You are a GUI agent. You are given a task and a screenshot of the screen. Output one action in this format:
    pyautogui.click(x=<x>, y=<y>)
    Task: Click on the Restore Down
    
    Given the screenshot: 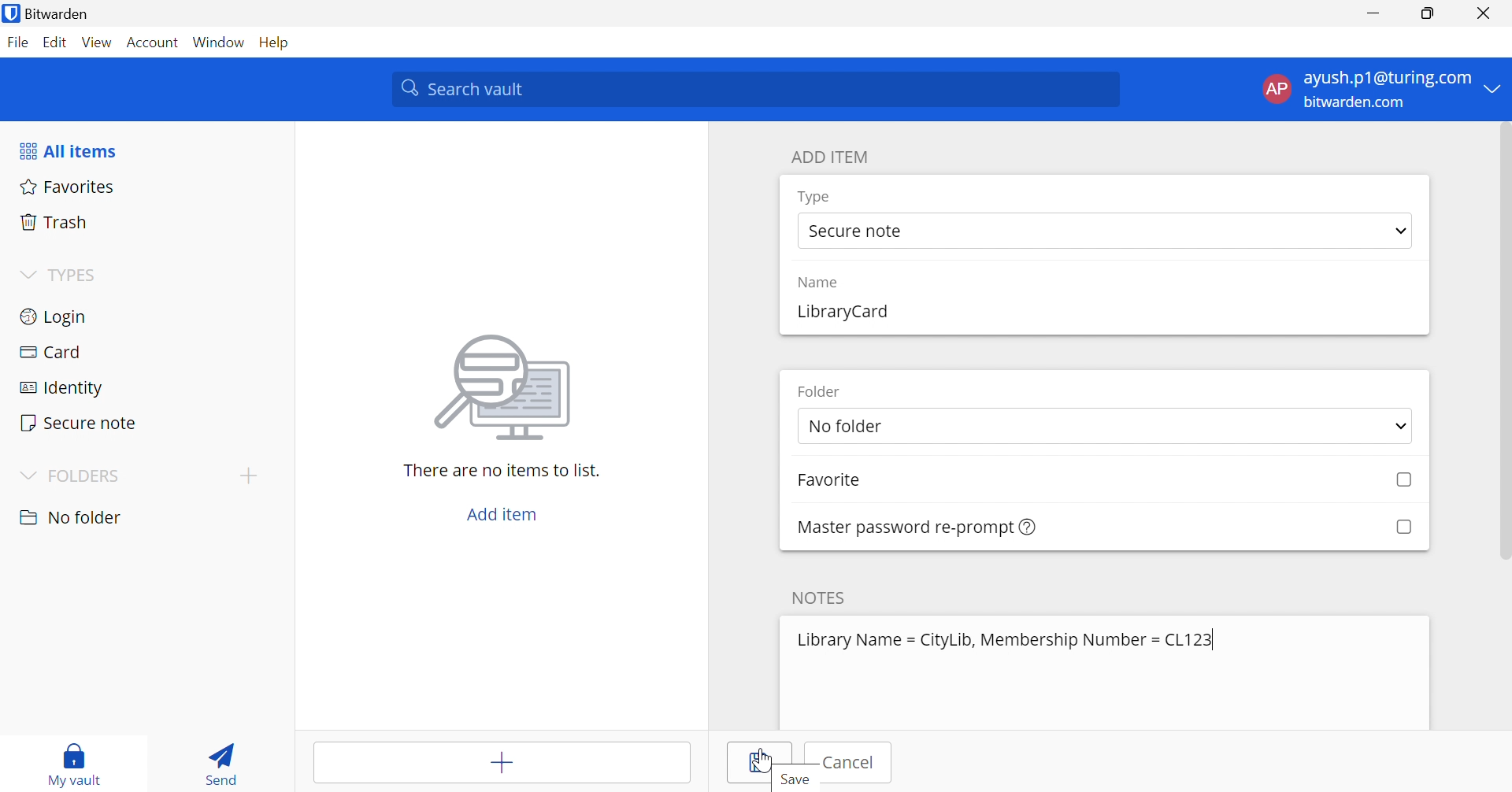 What is the action you would take?
    pyautogui.click(x=1429, y=11)
    